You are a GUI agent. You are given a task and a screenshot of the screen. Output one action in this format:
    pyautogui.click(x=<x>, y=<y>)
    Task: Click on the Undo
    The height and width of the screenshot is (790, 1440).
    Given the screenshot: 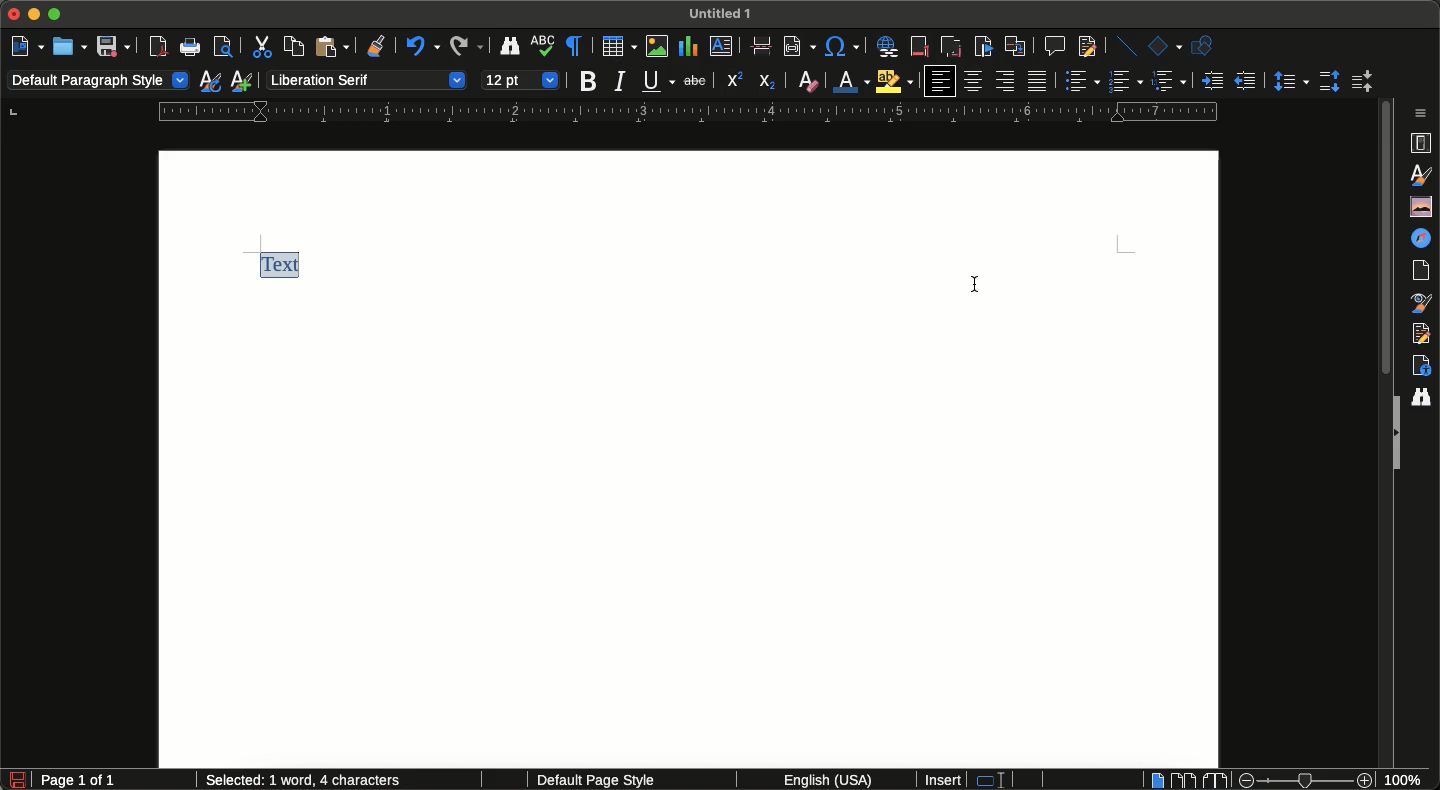 What is the action you would take?
    pyautogui.click(x=420, y=49)
    